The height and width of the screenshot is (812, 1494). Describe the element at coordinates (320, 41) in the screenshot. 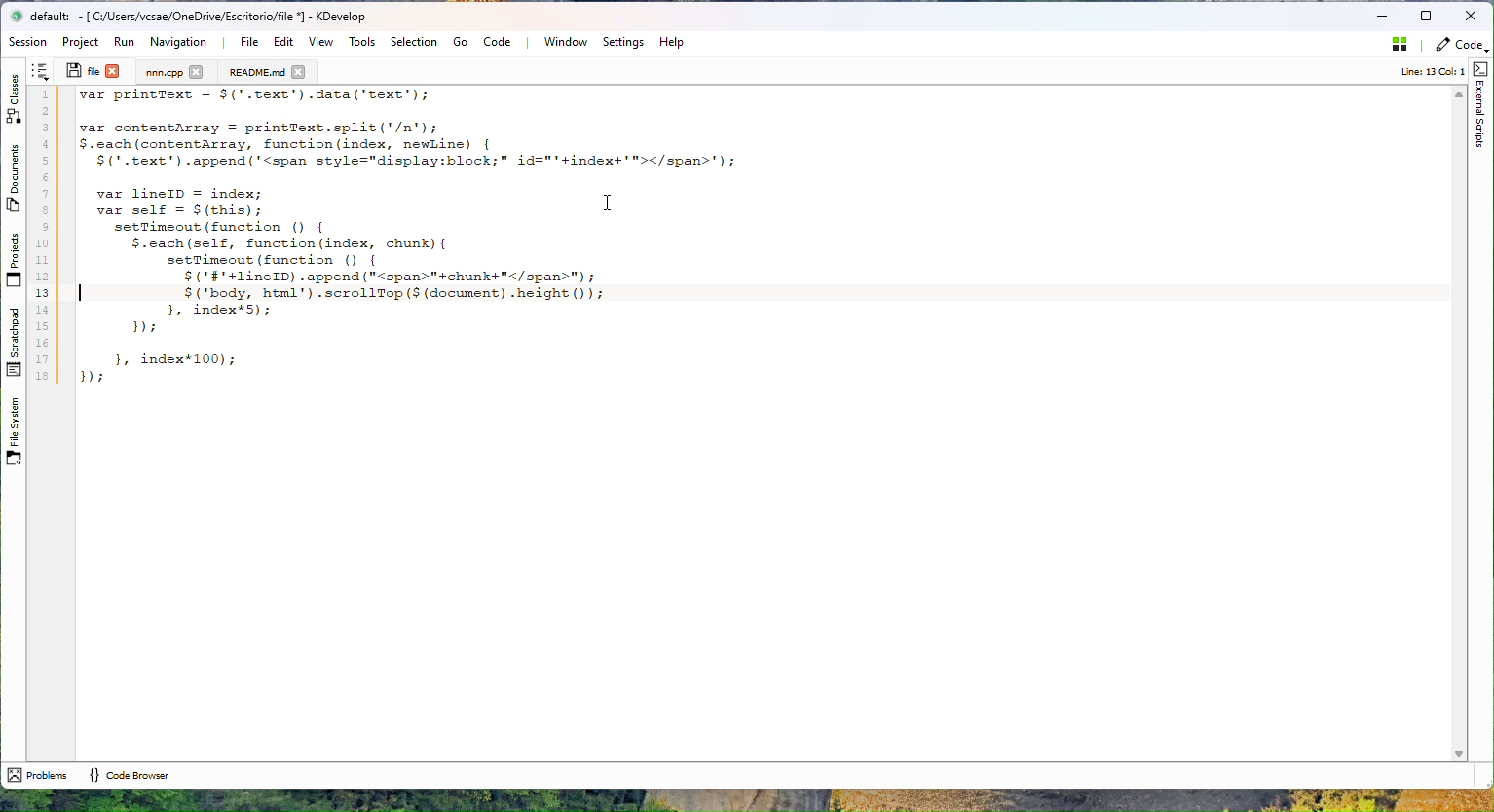

I see `View` at that location.